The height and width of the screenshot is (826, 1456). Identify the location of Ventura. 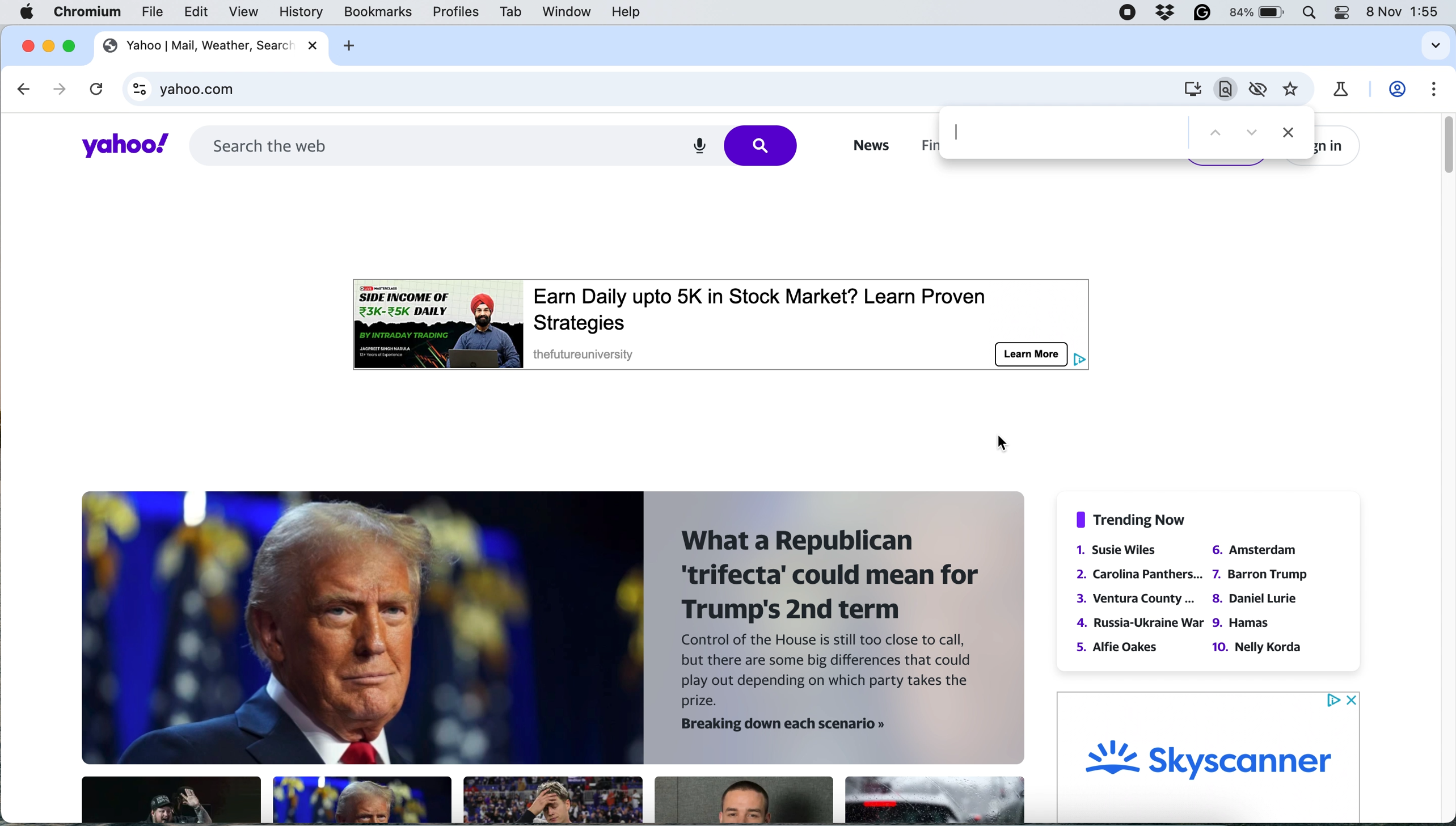
(1137, 599).